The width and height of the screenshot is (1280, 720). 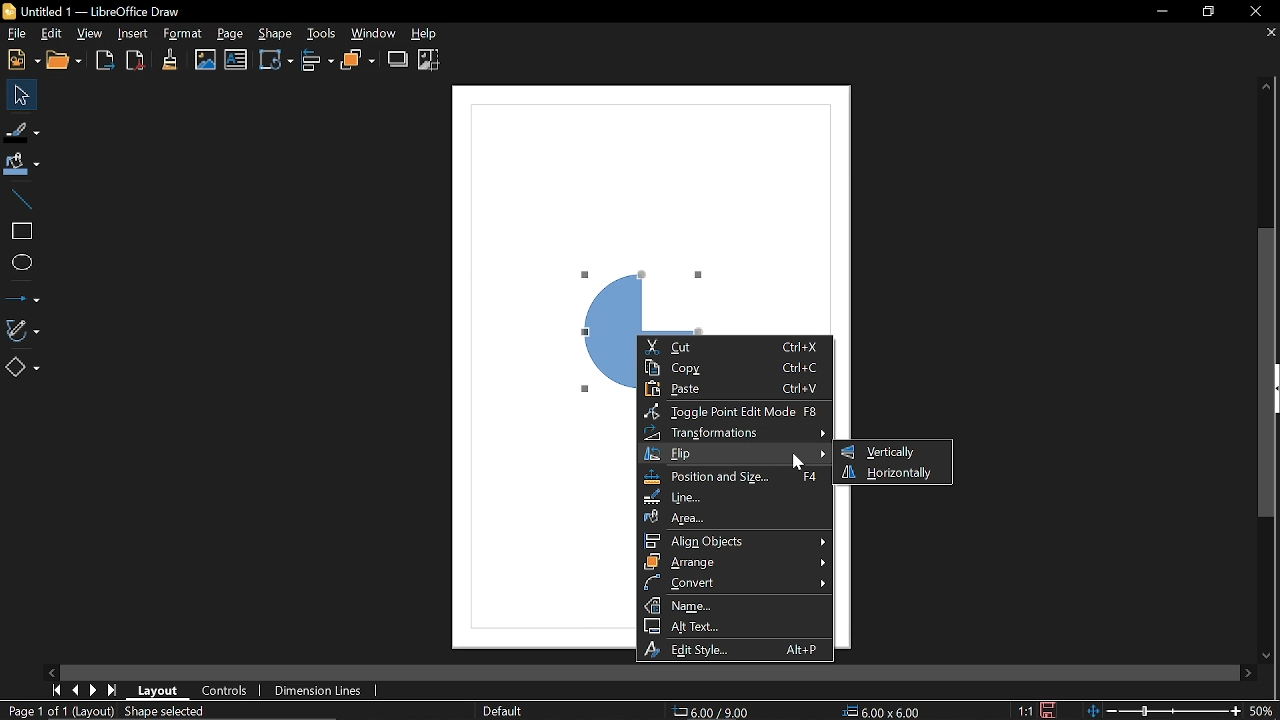 I want to click on Current zoom, so click(x=1264, y=710).